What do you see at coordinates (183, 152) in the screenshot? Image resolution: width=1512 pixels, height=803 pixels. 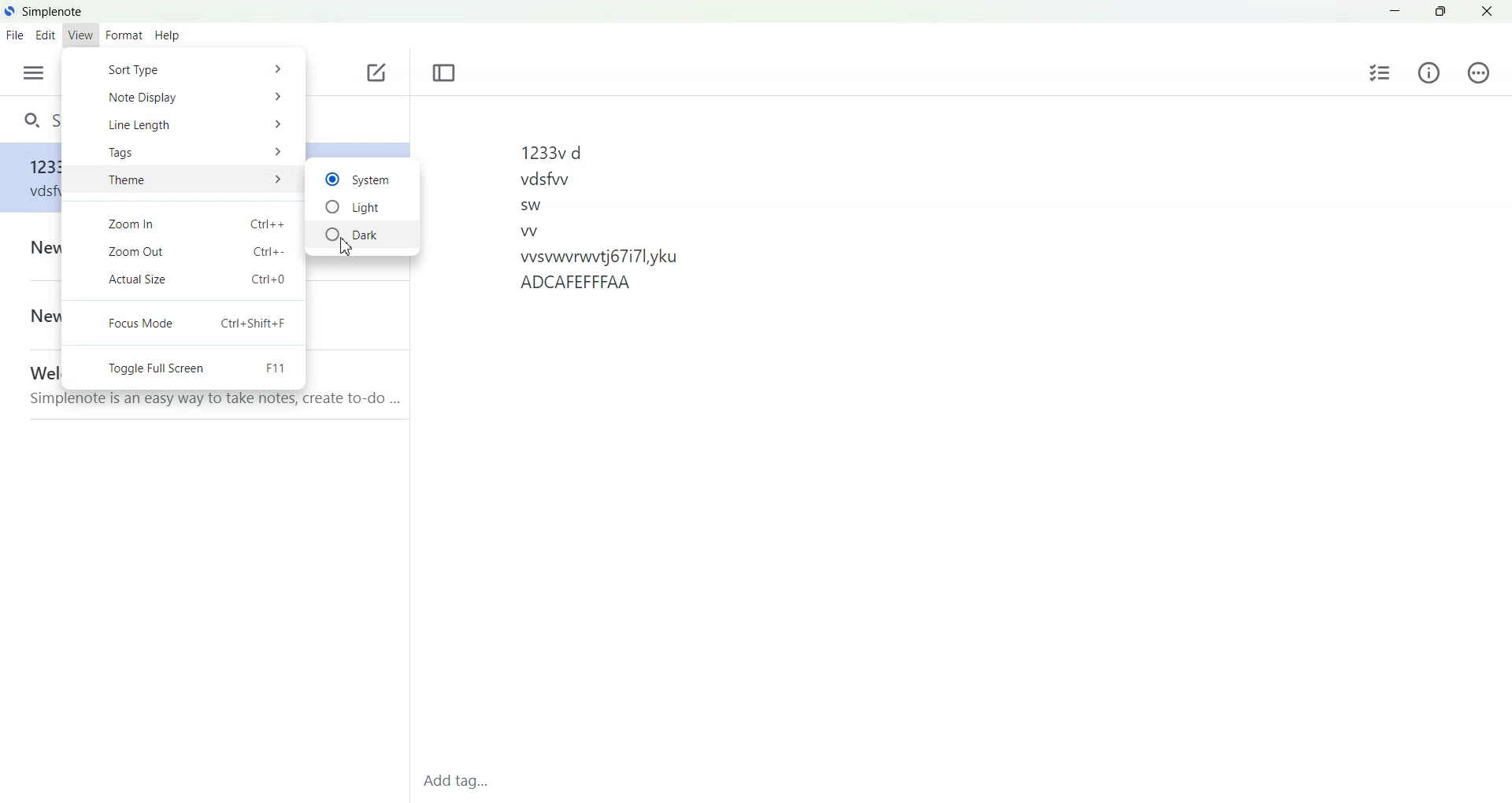 I see `Tags` at bounding box center [183, 152].